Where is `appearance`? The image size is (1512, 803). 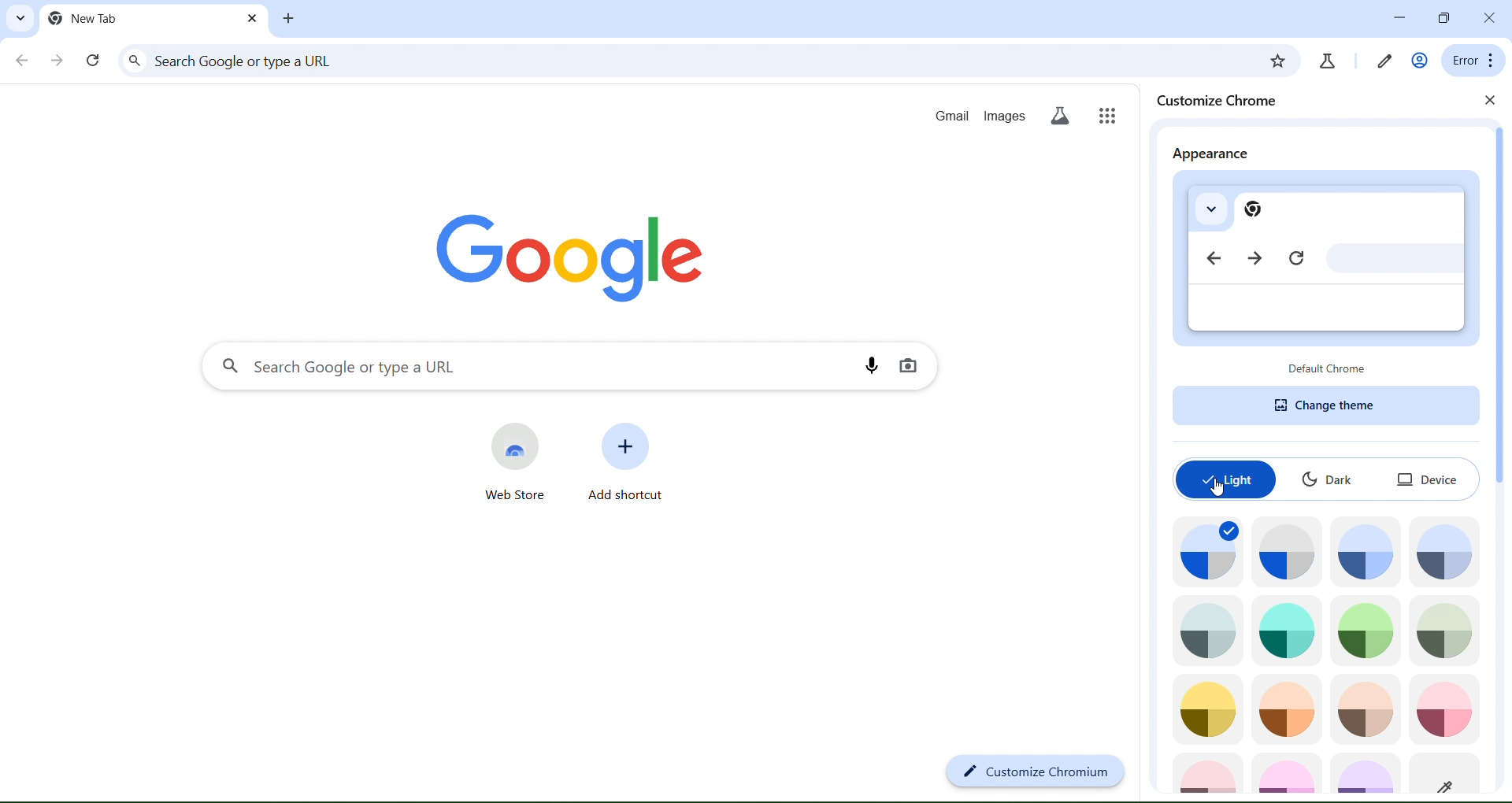
appearance is located at coordinates (1210, 155).